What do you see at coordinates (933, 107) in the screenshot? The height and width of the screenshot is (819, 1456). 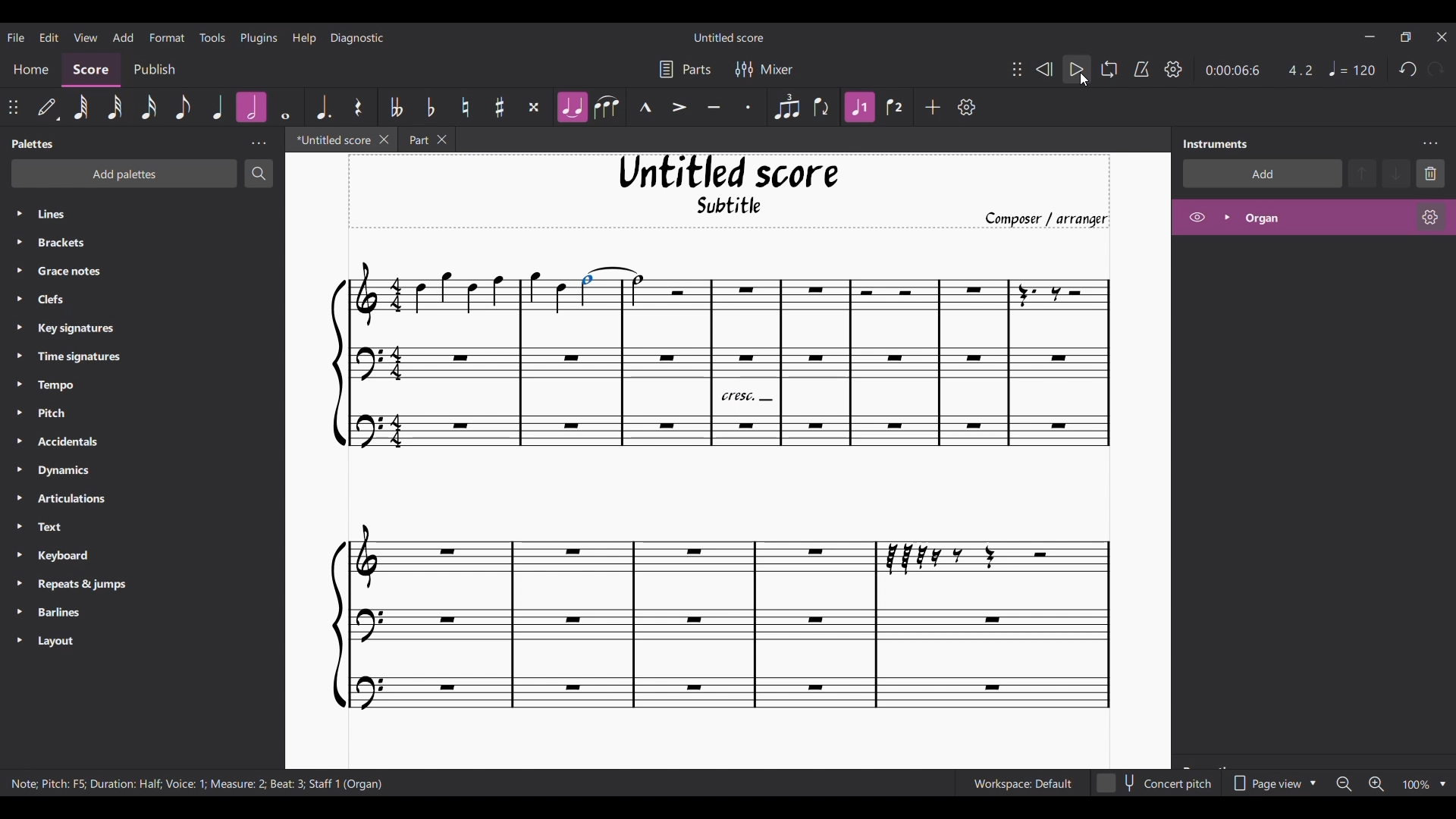 I see `Add` at bounding box center [933, 107].